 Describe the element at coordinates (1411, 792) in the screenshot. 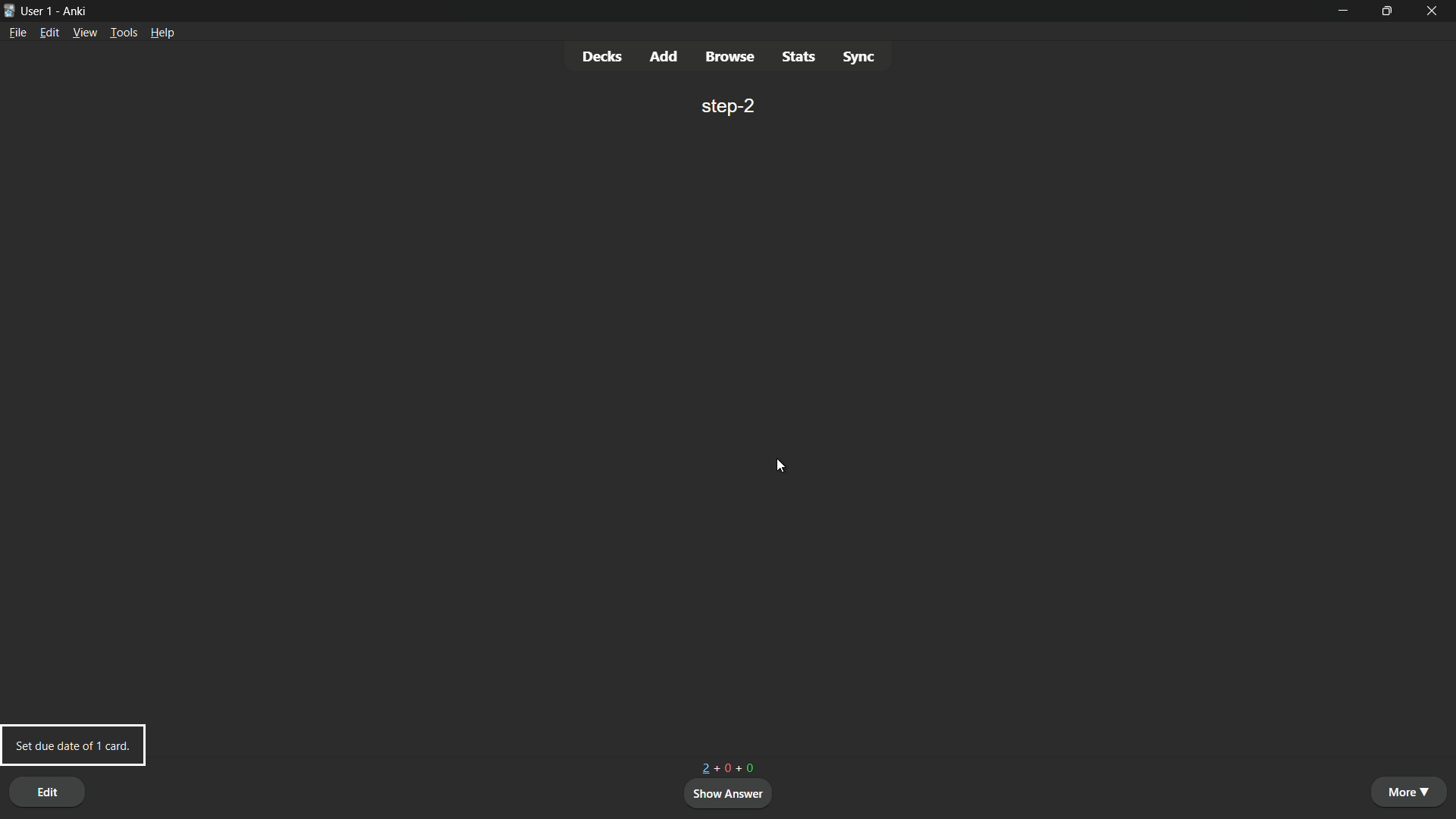

I see `more` at that location.